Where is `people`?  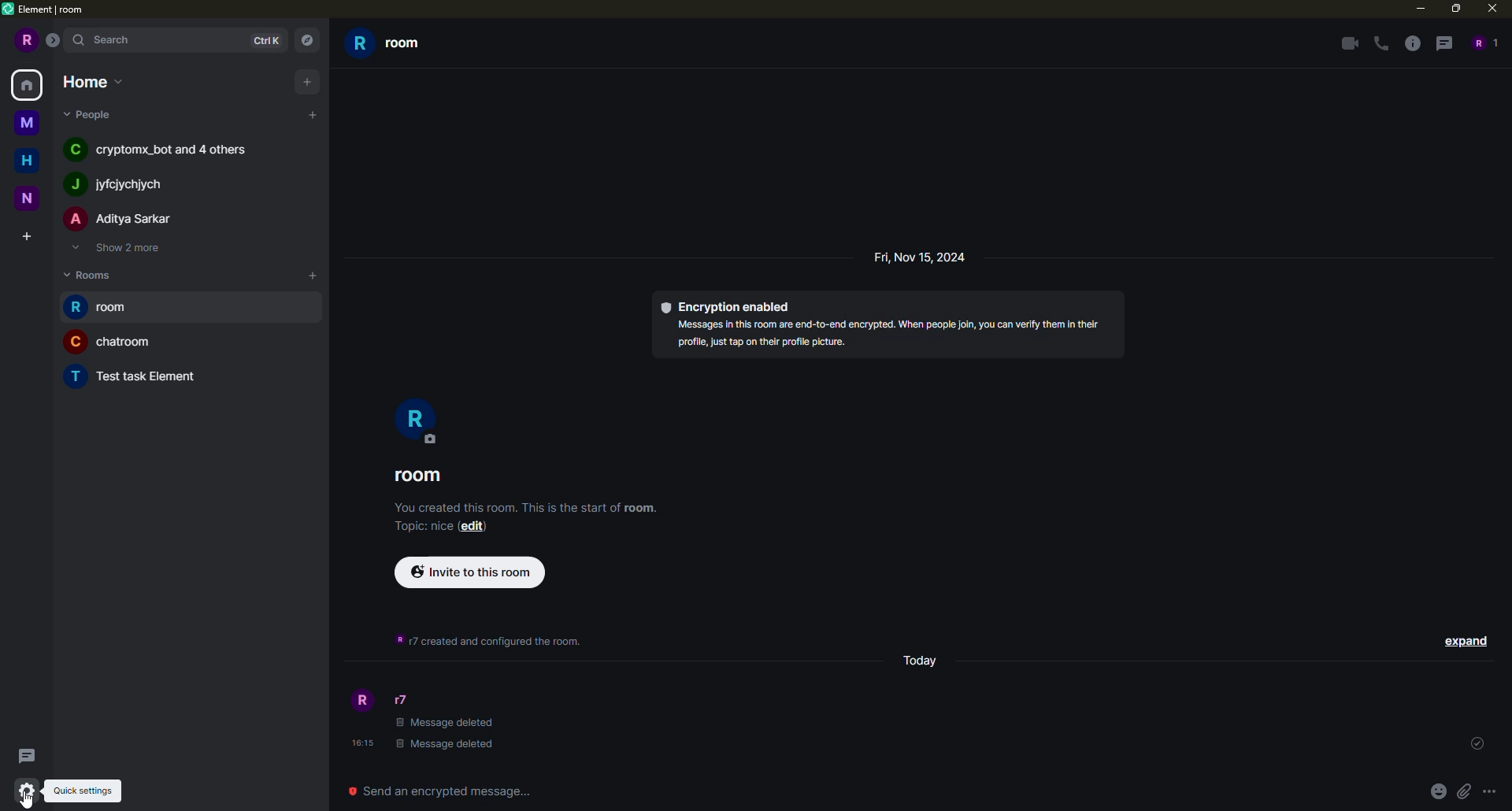
people is located at coordinates (163, 148).